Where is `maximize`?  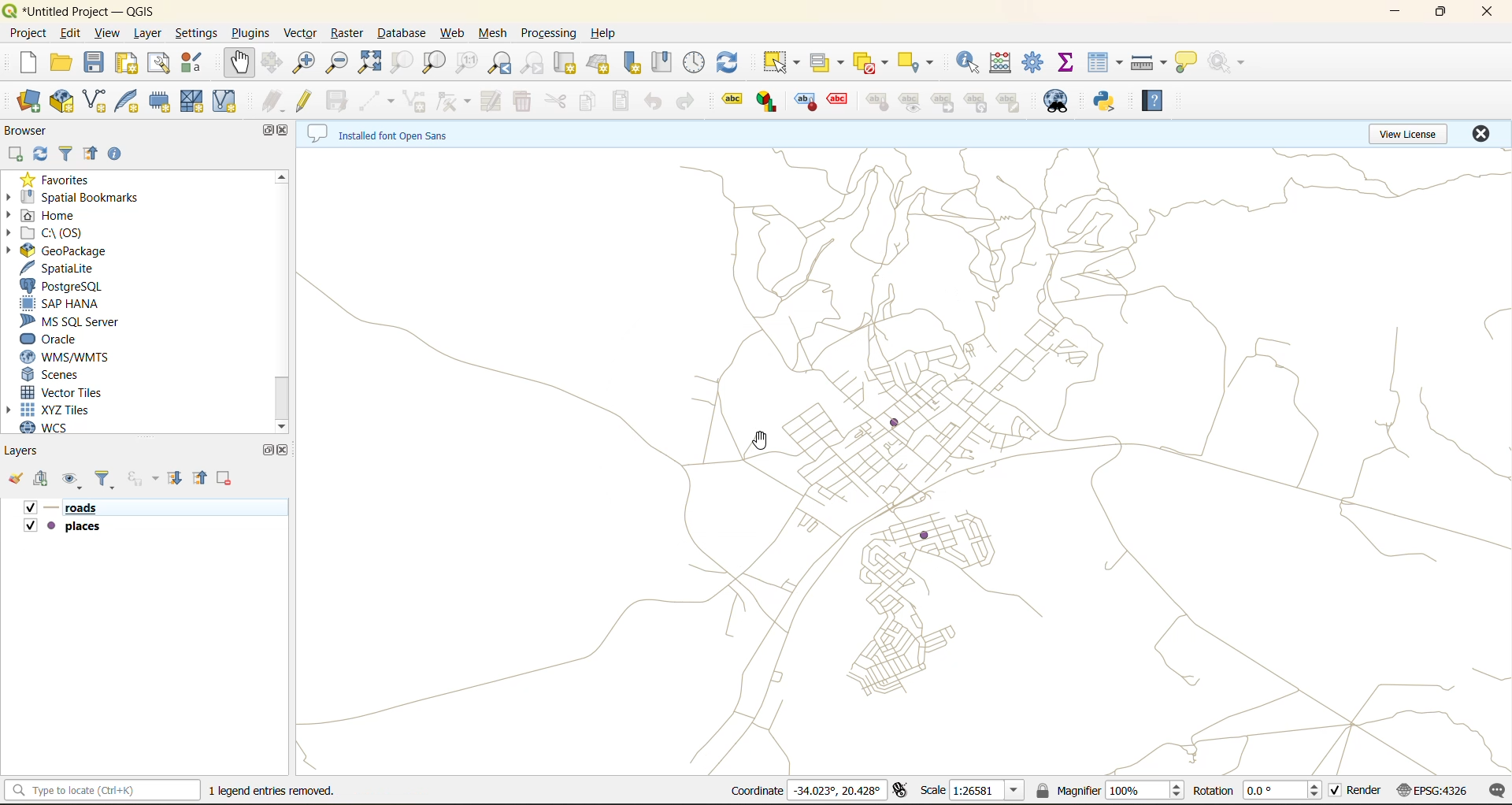 maximize is located at coordinates (267, 451).